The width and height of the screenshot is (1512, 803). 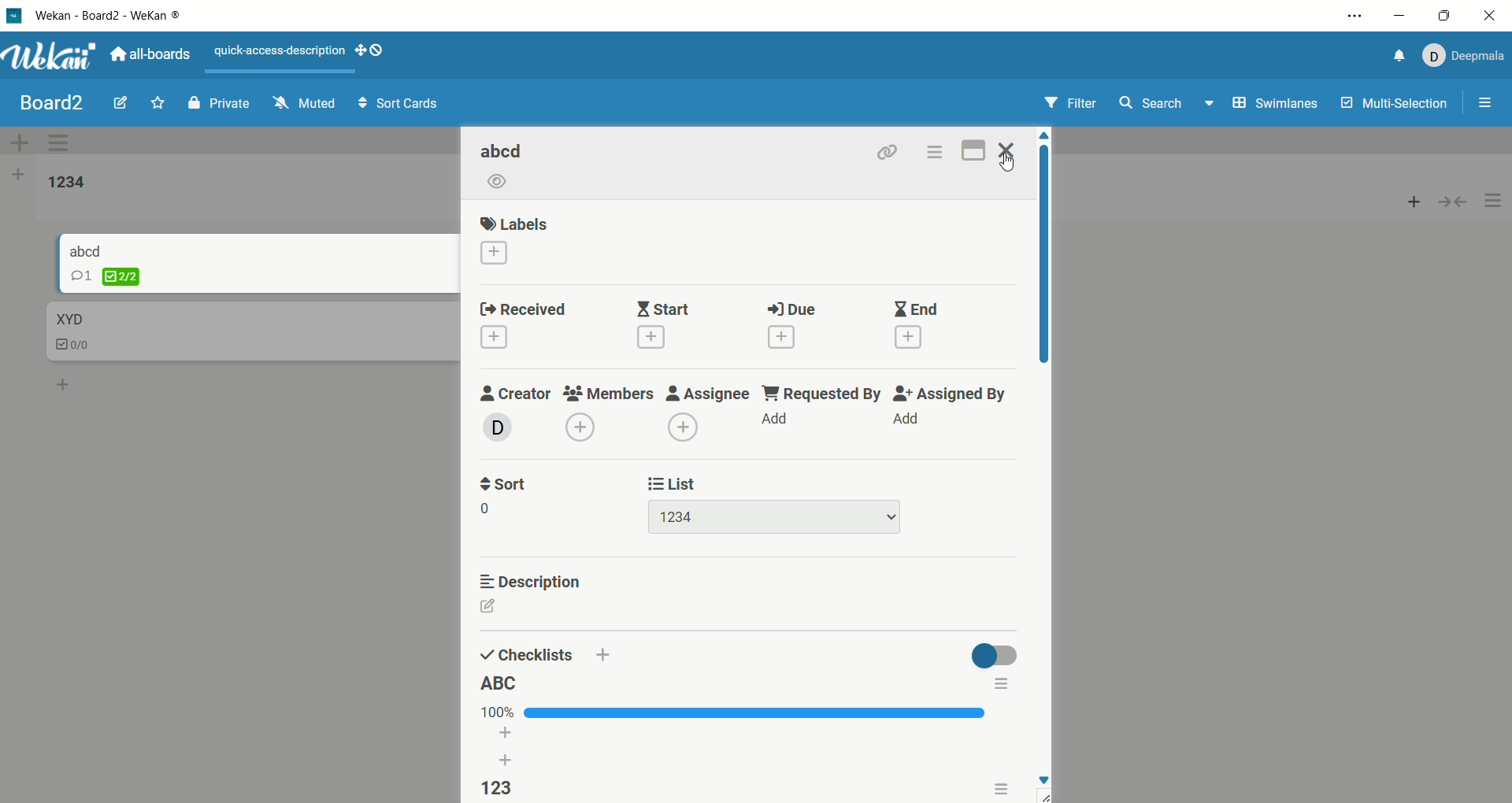 I want to click on sort, so click(x=509, y=495).